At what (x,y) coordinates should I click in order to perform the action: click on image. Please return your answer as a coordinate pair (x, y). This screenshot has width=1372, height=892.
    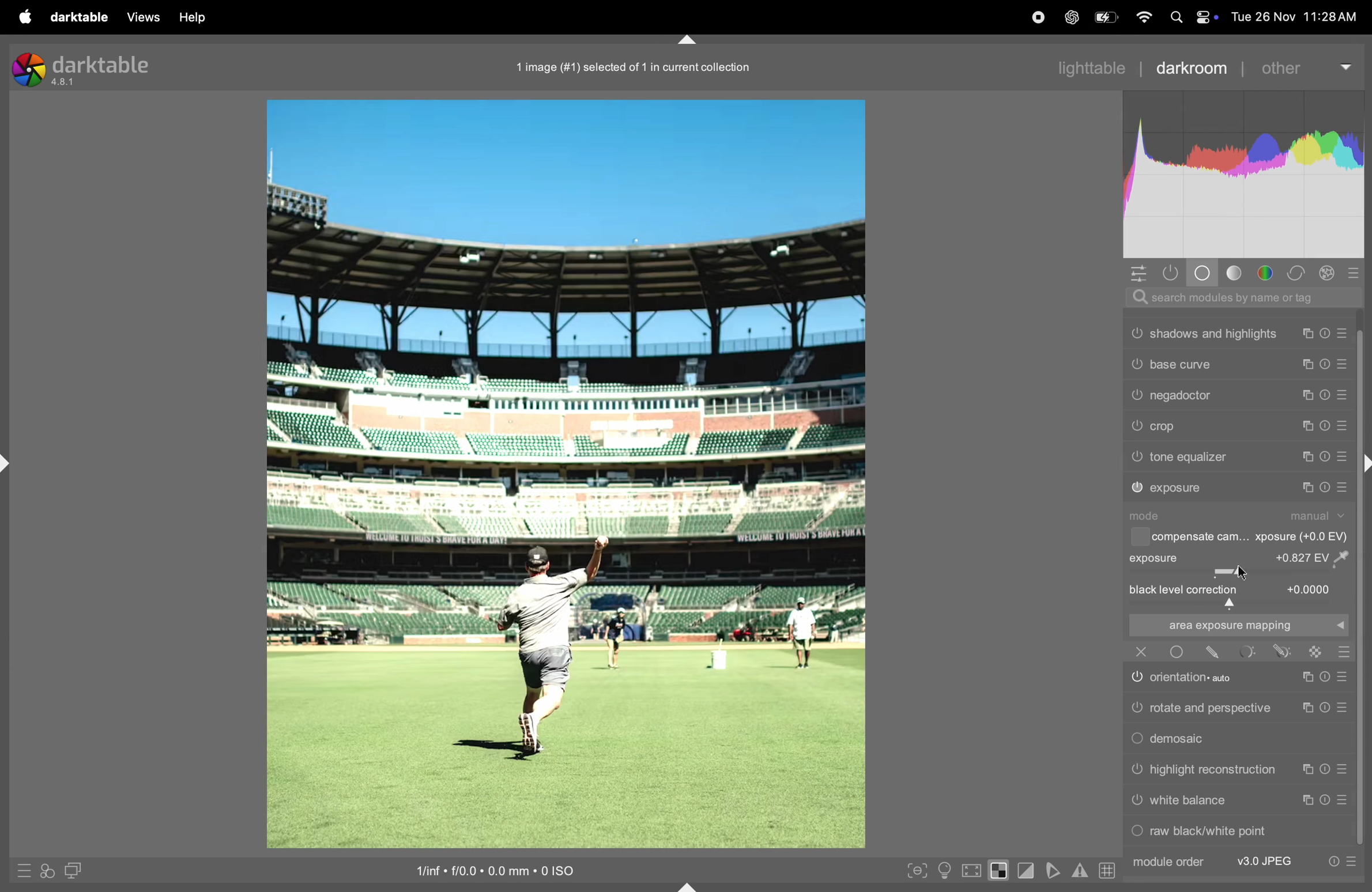
    Looking at the image, I should click on (564, 474).